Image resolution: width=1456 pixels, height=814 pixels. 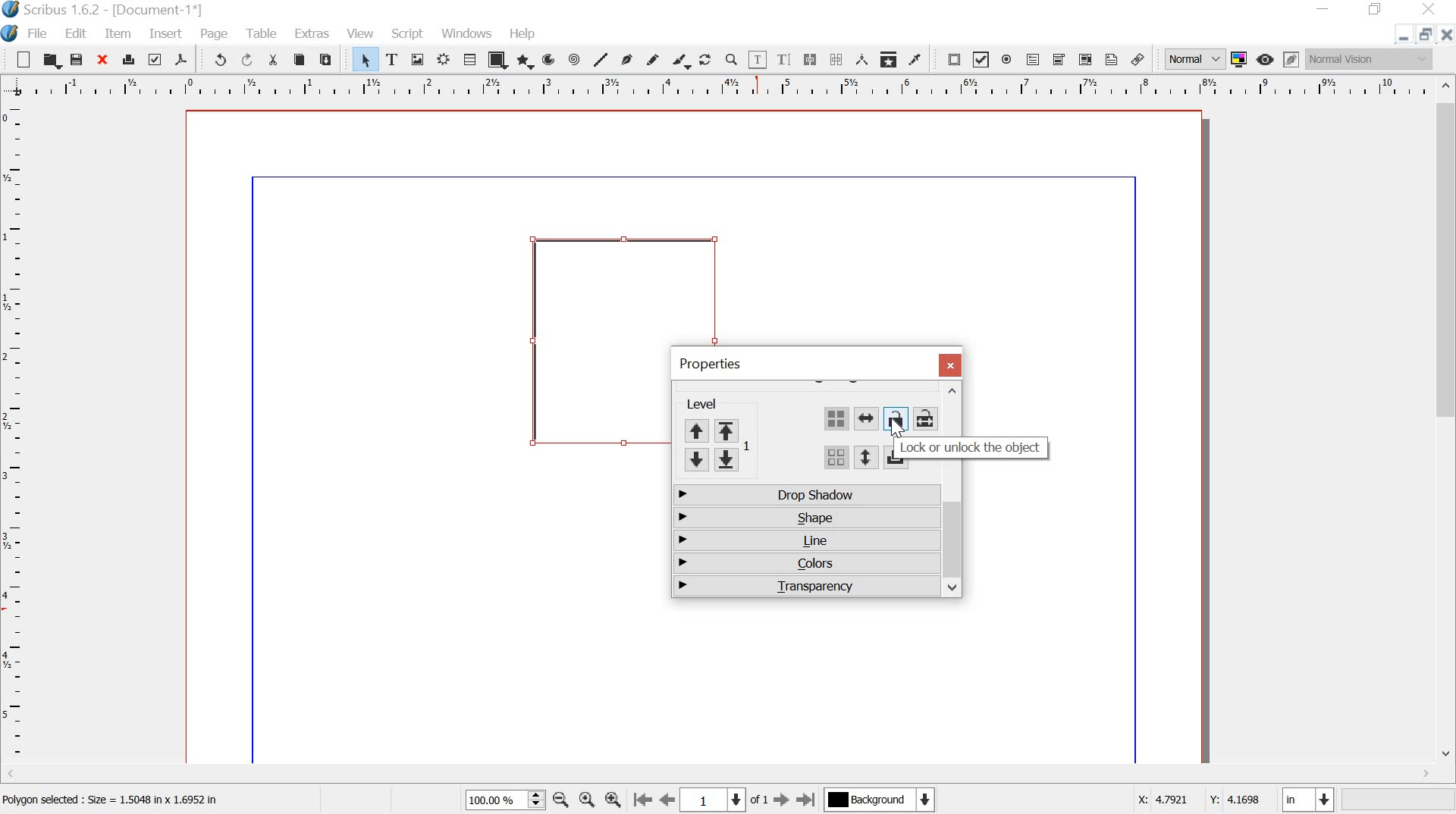 What do you see at coordinates (836, 418) in the screenshot?
I see `group selected objects` at bounding box center [836, 418].